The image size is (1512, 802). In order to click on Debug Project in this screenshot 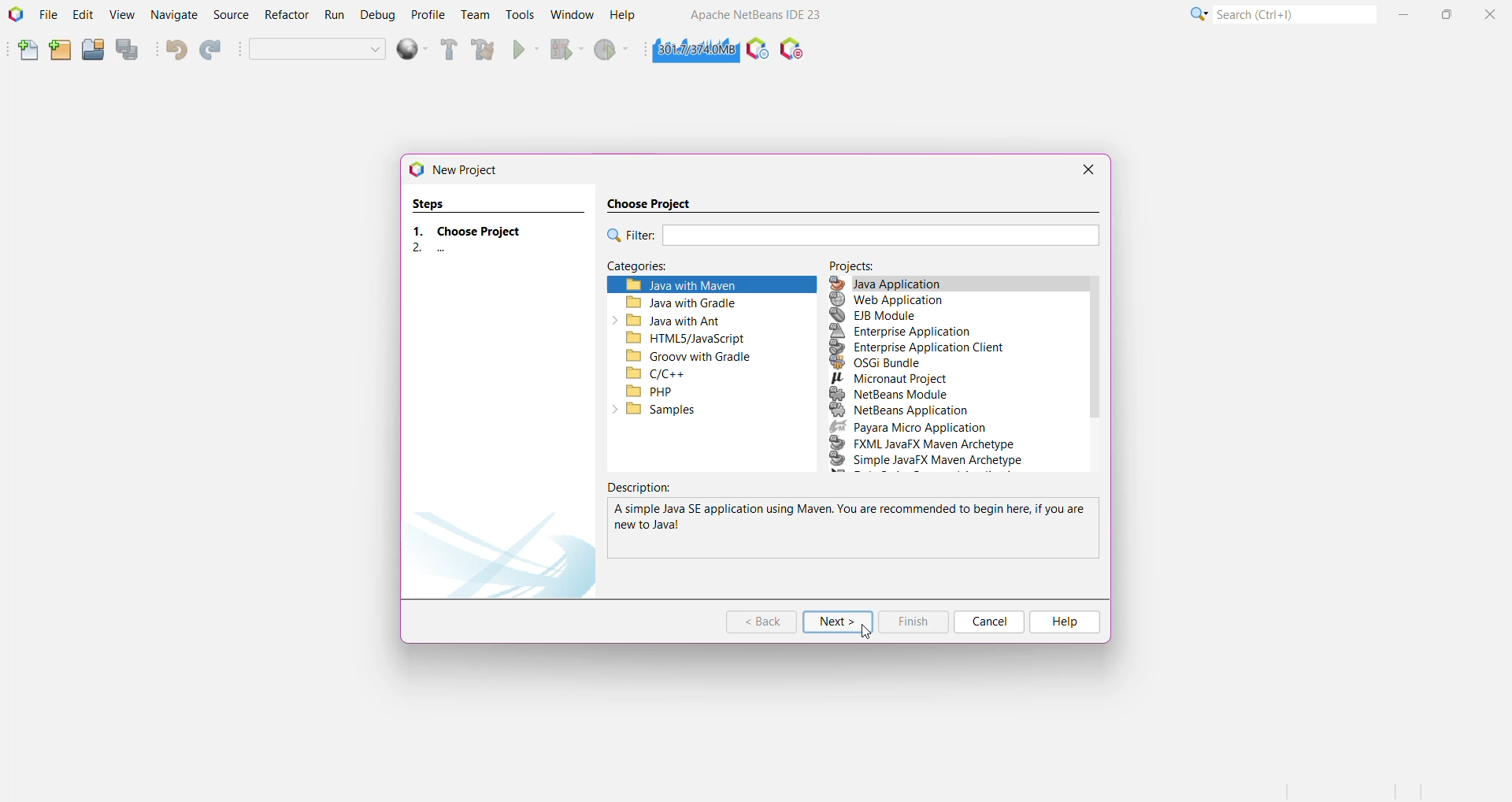, I will do `click(563, 50)`.